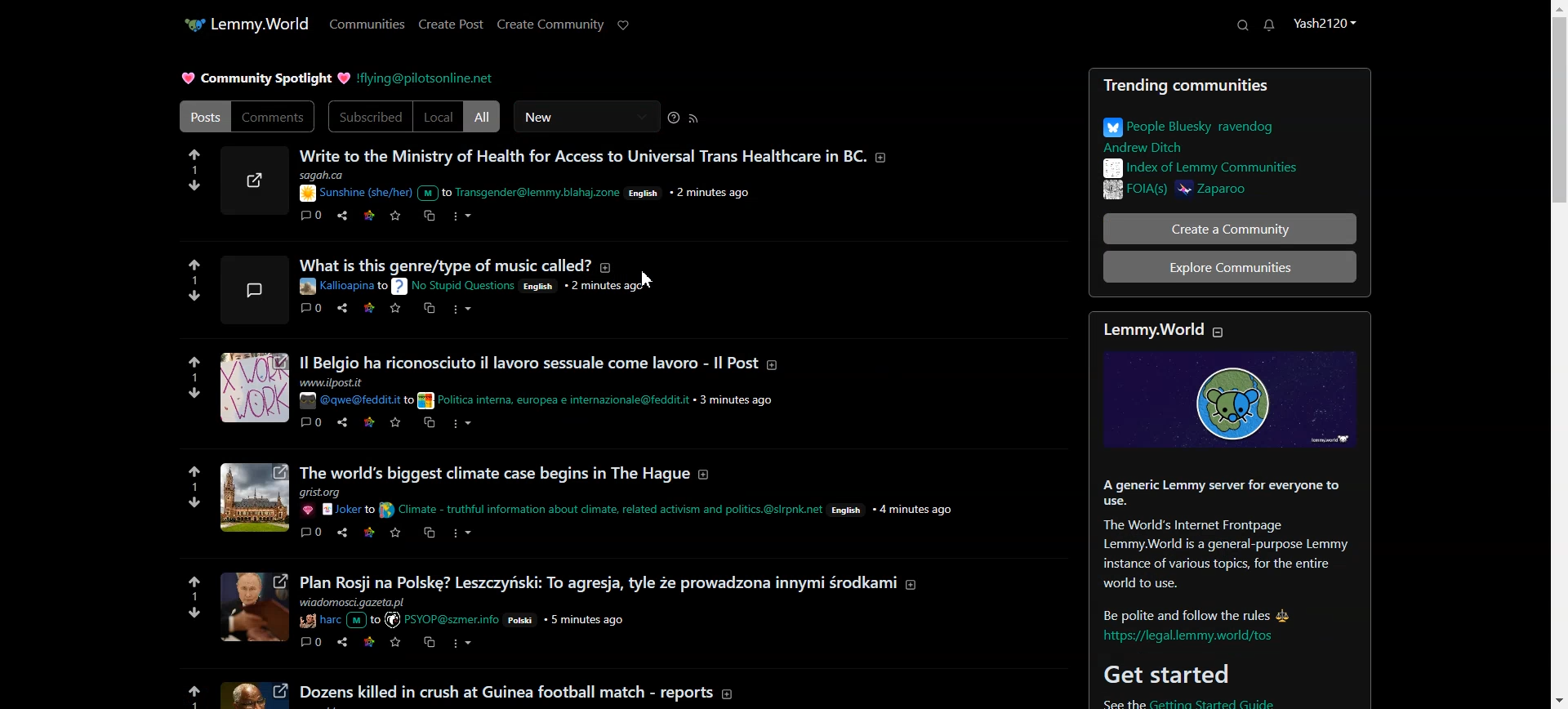  I want to click on 3, so click(190, 280).